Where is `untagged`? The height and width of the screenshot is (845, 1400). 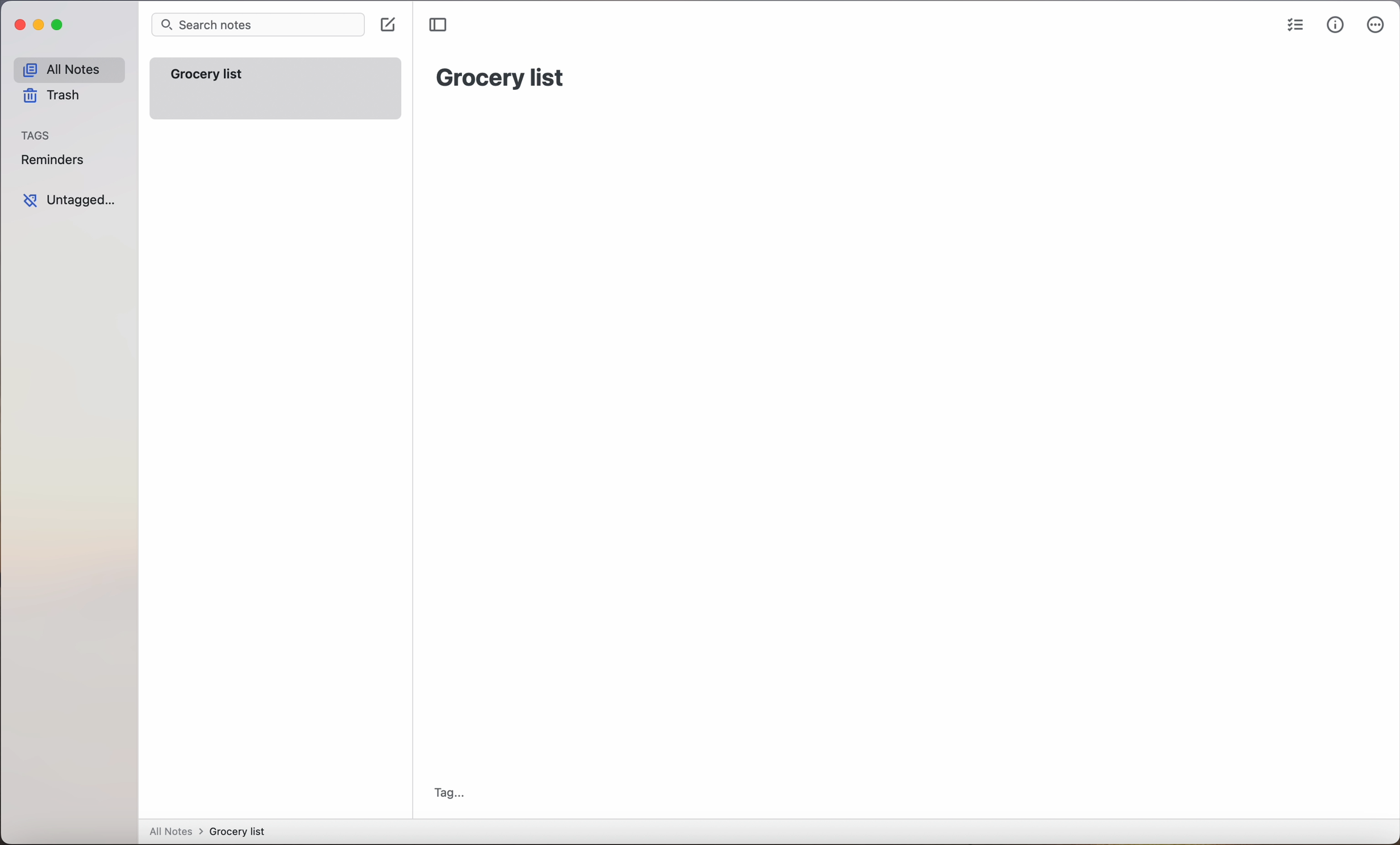
untagged is located at coordinates (69, 200).